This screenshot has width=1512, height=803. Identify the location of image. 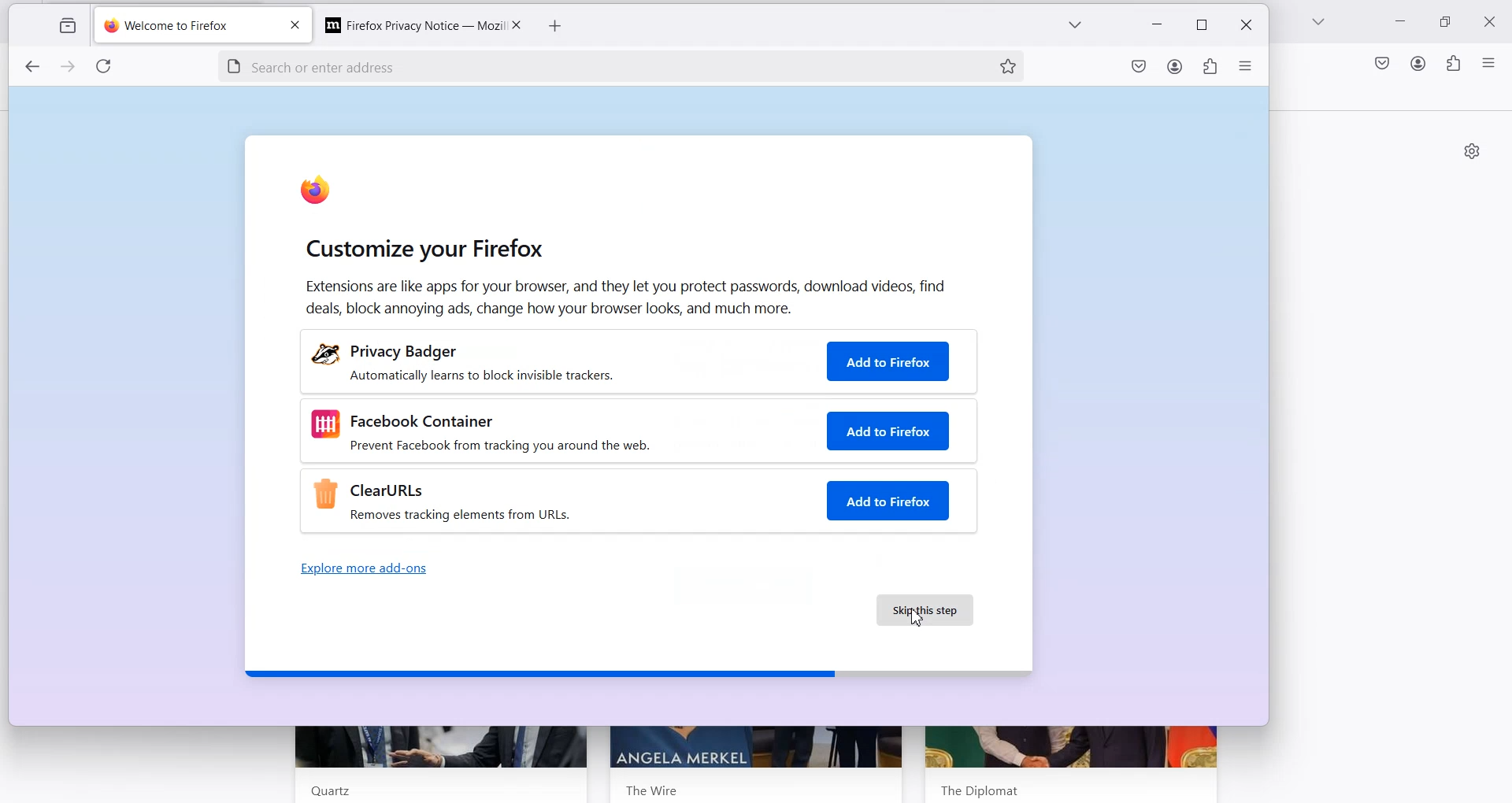
(323, 494).